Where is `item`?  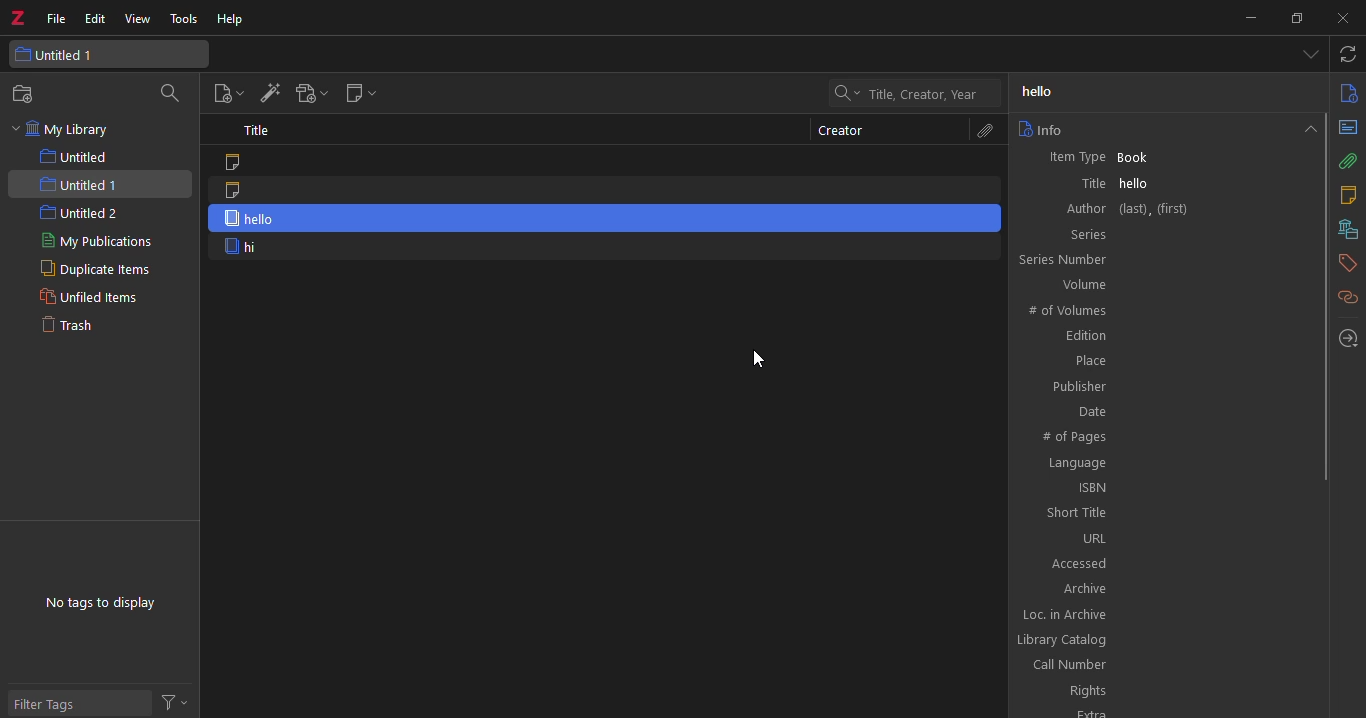
item is located at coordinates (606, 161).